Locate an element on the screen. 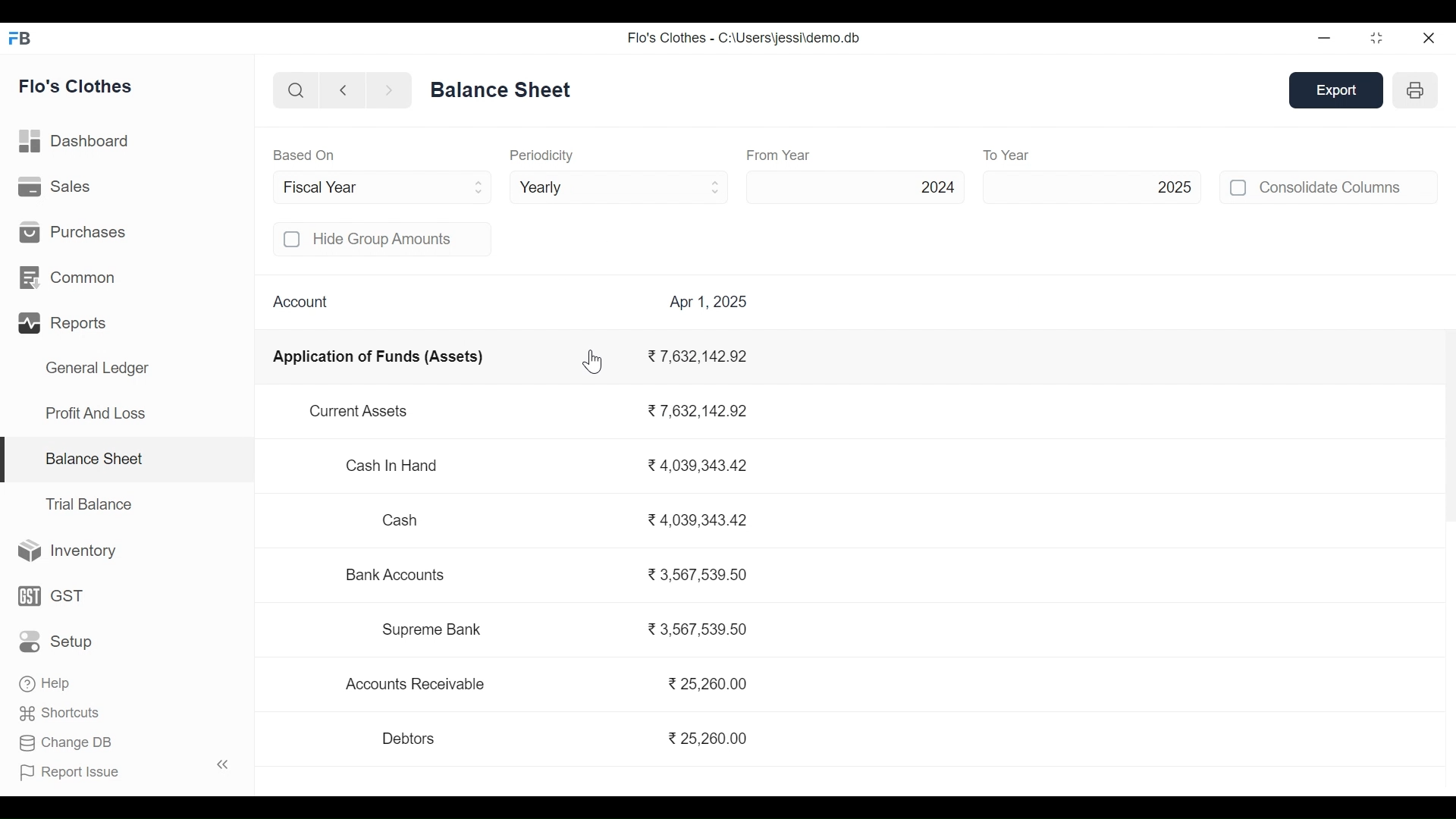 This screenshot has height=819, width=1456. from year is located at coordinates (780, 155).